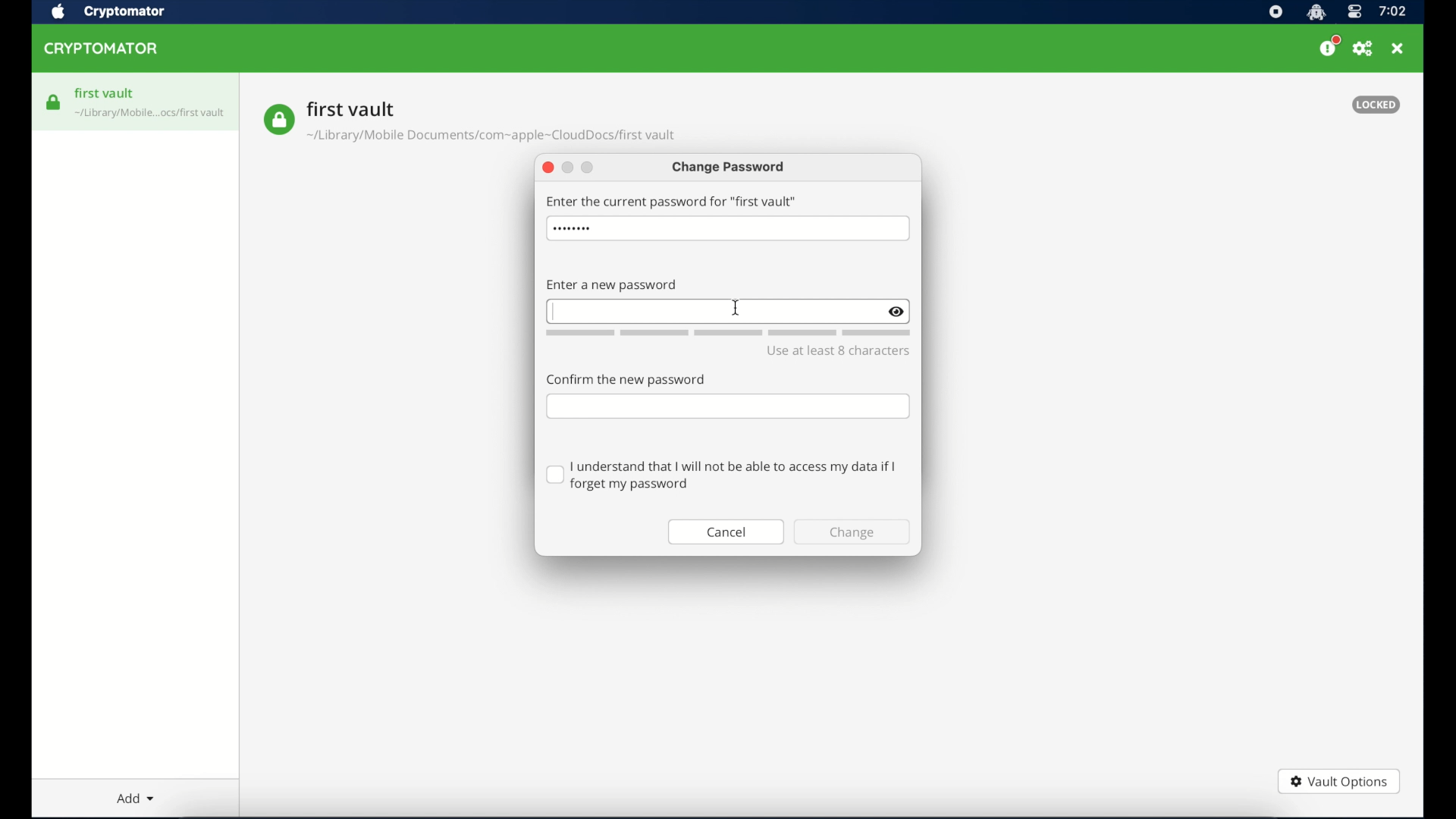 The width and height of the screenshot is (1456, 819). Describe the element at coordinates (728, 333) in the screenshot. I see `word count` at that location.